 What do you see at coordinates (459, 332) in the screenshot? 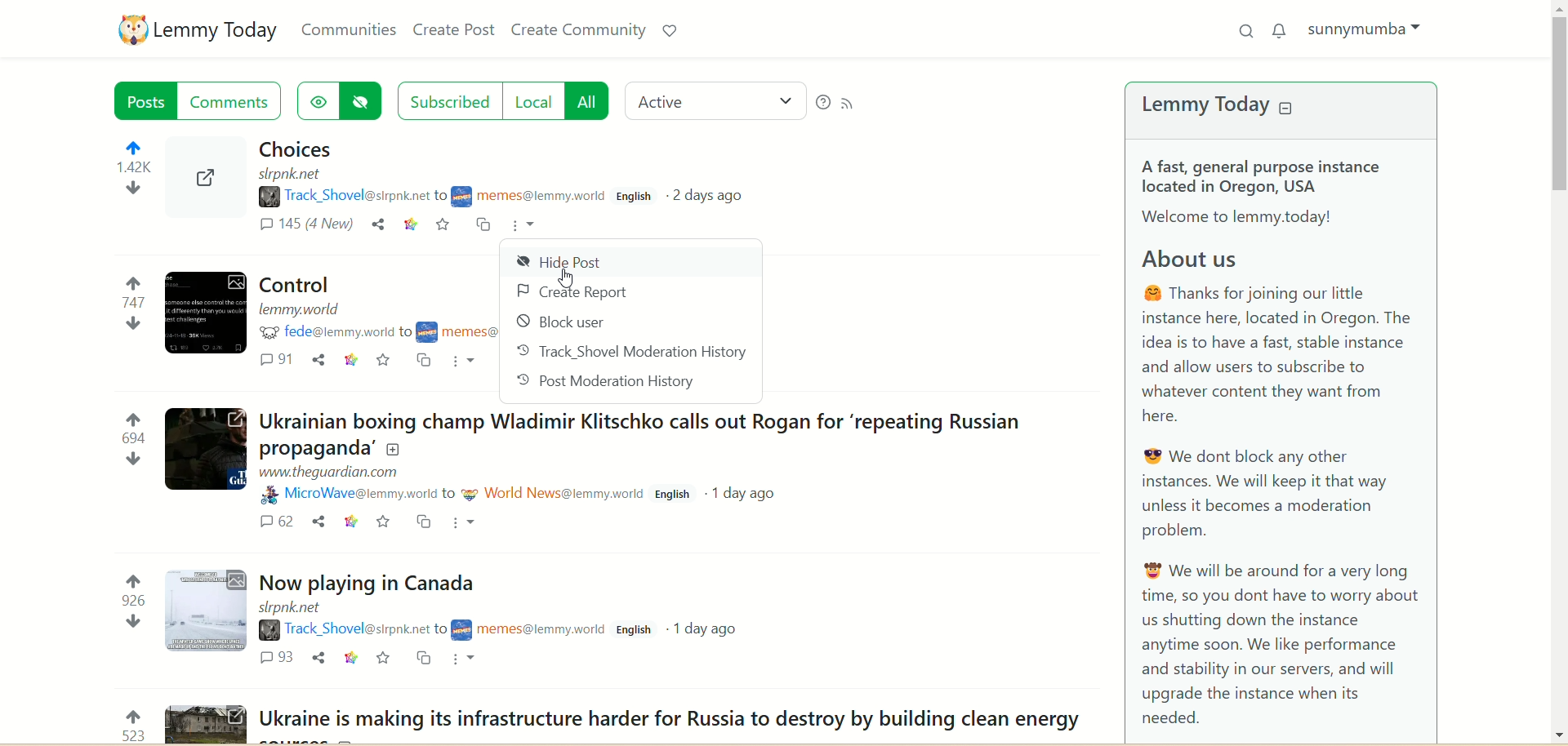
I see `community` at bounding box center [459, 332].